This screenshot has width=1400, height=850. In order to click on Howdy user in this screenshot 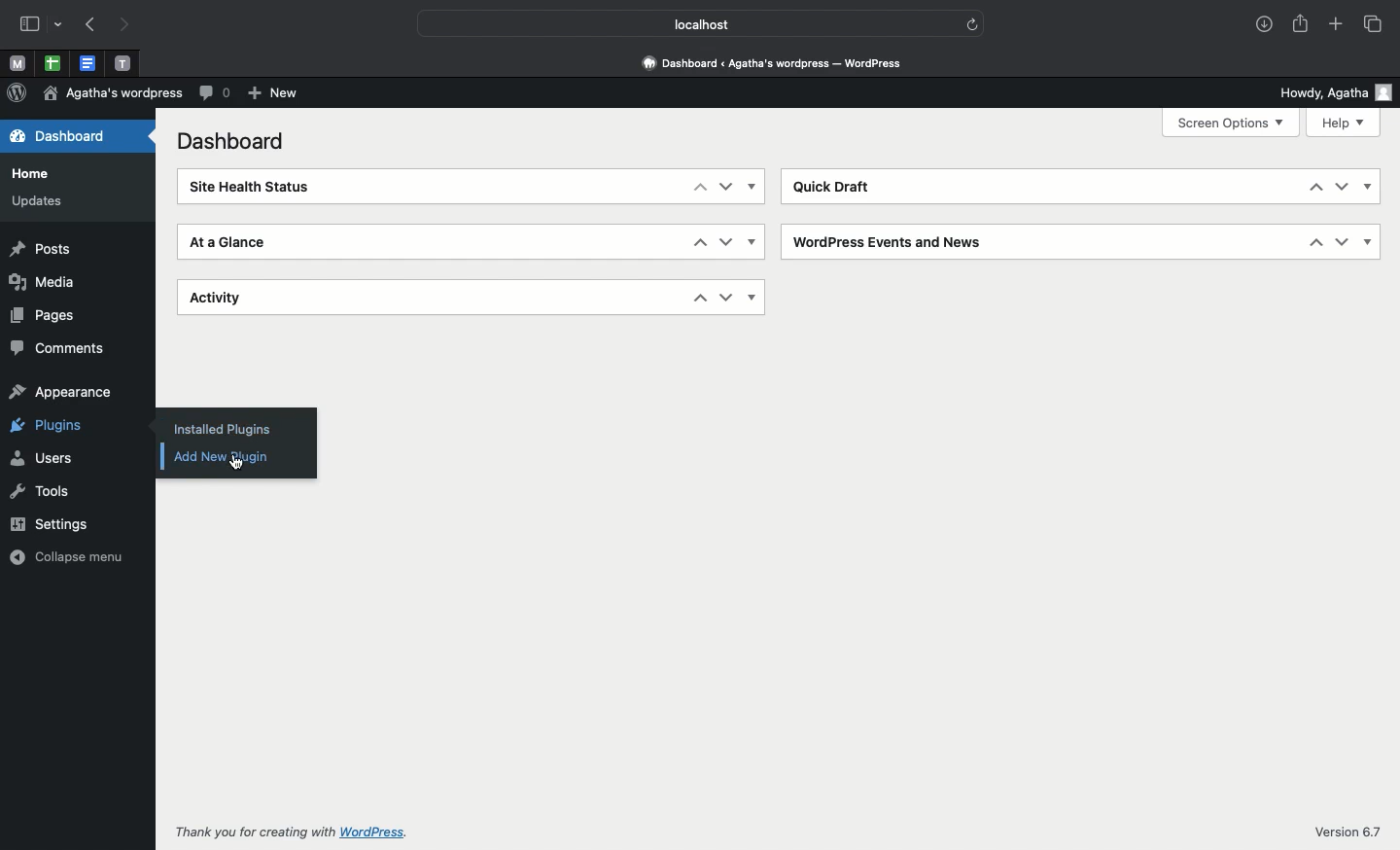, I will do `click(1335, 90)`.